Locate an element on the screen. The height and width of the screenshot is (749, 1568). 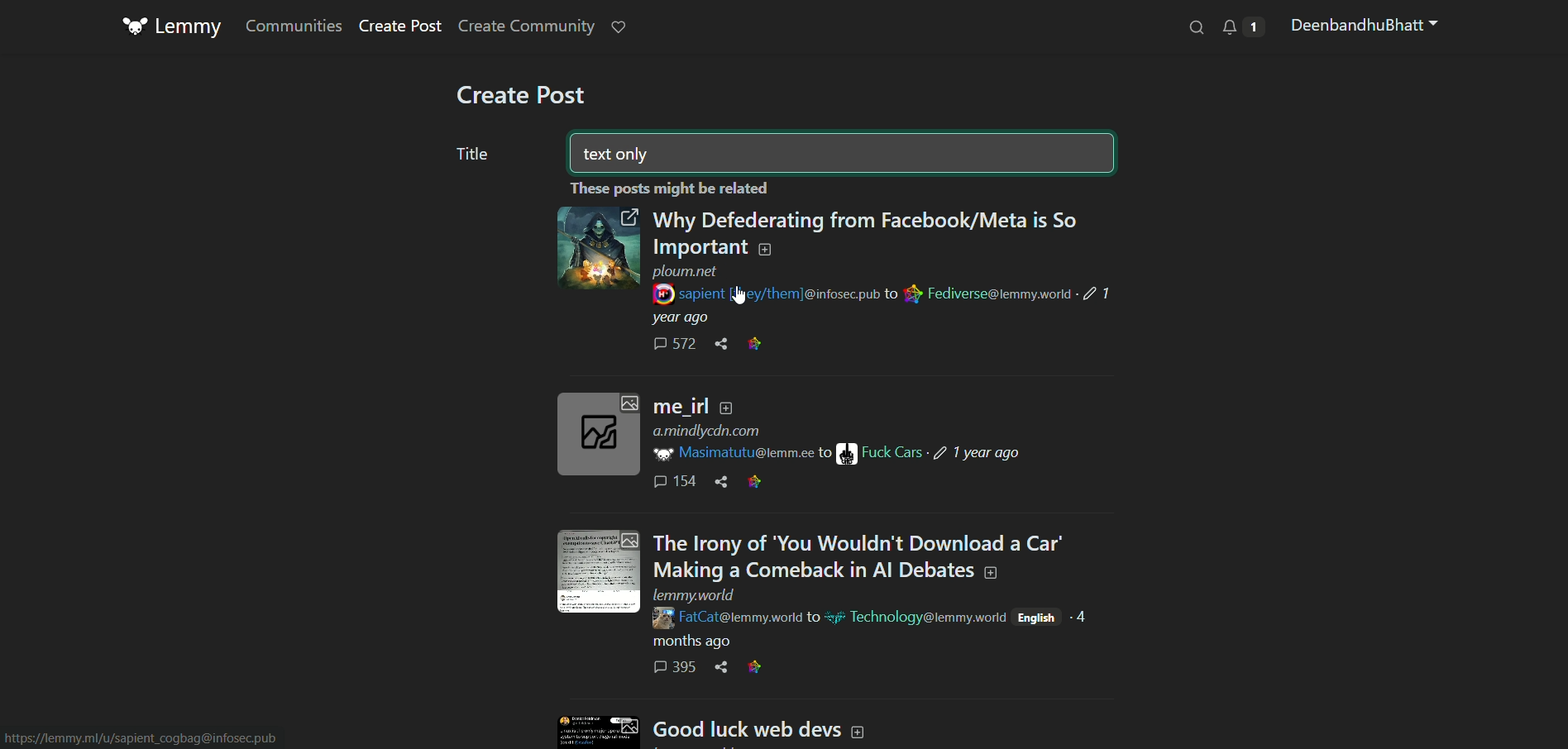
Emoji is located at coordinates (834, 617).